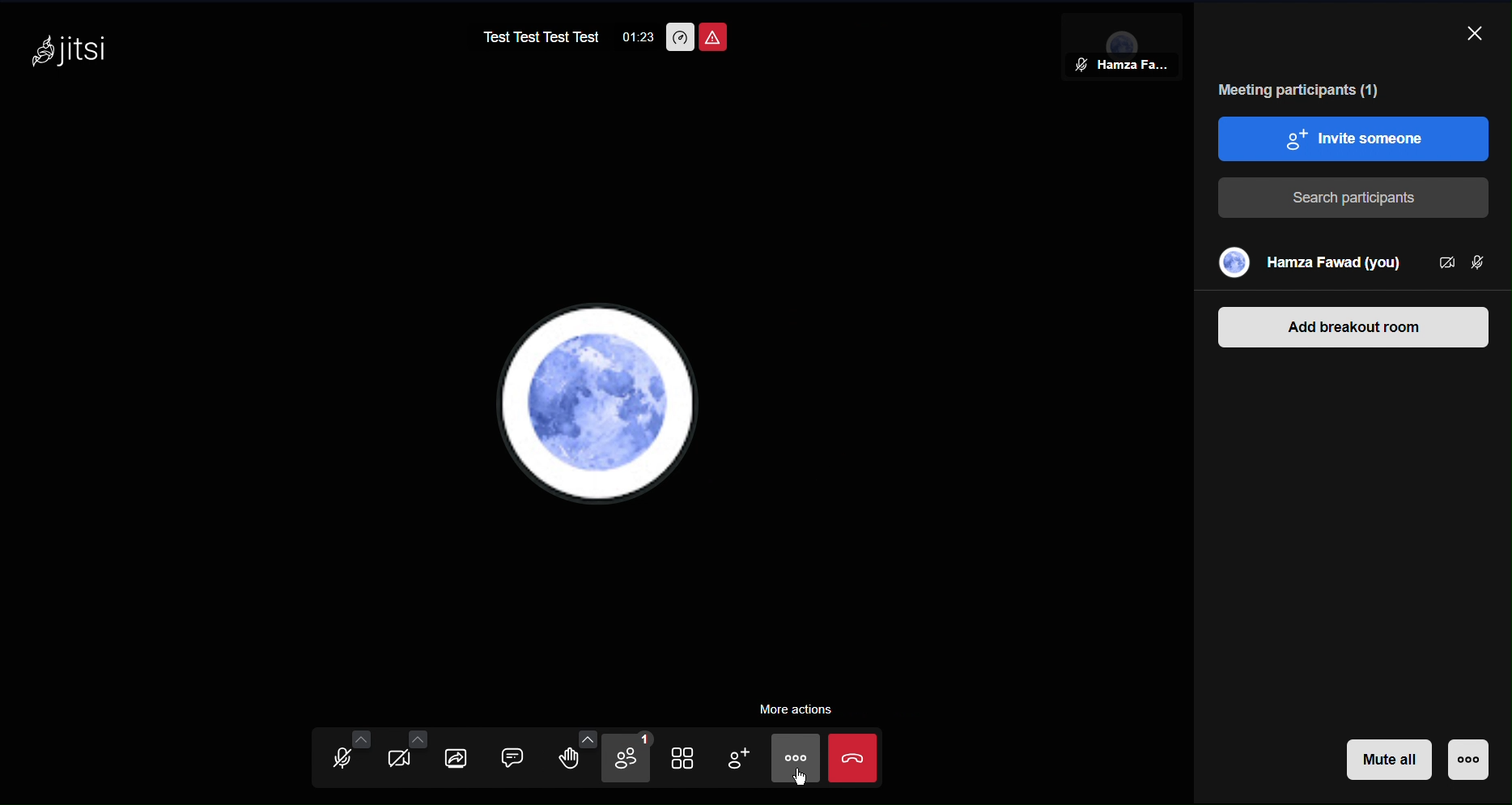 The image size is (1512, 805). Describe the element at coordinates (1356, 138) in the screenshot. I see `Invite Someone` at that location.